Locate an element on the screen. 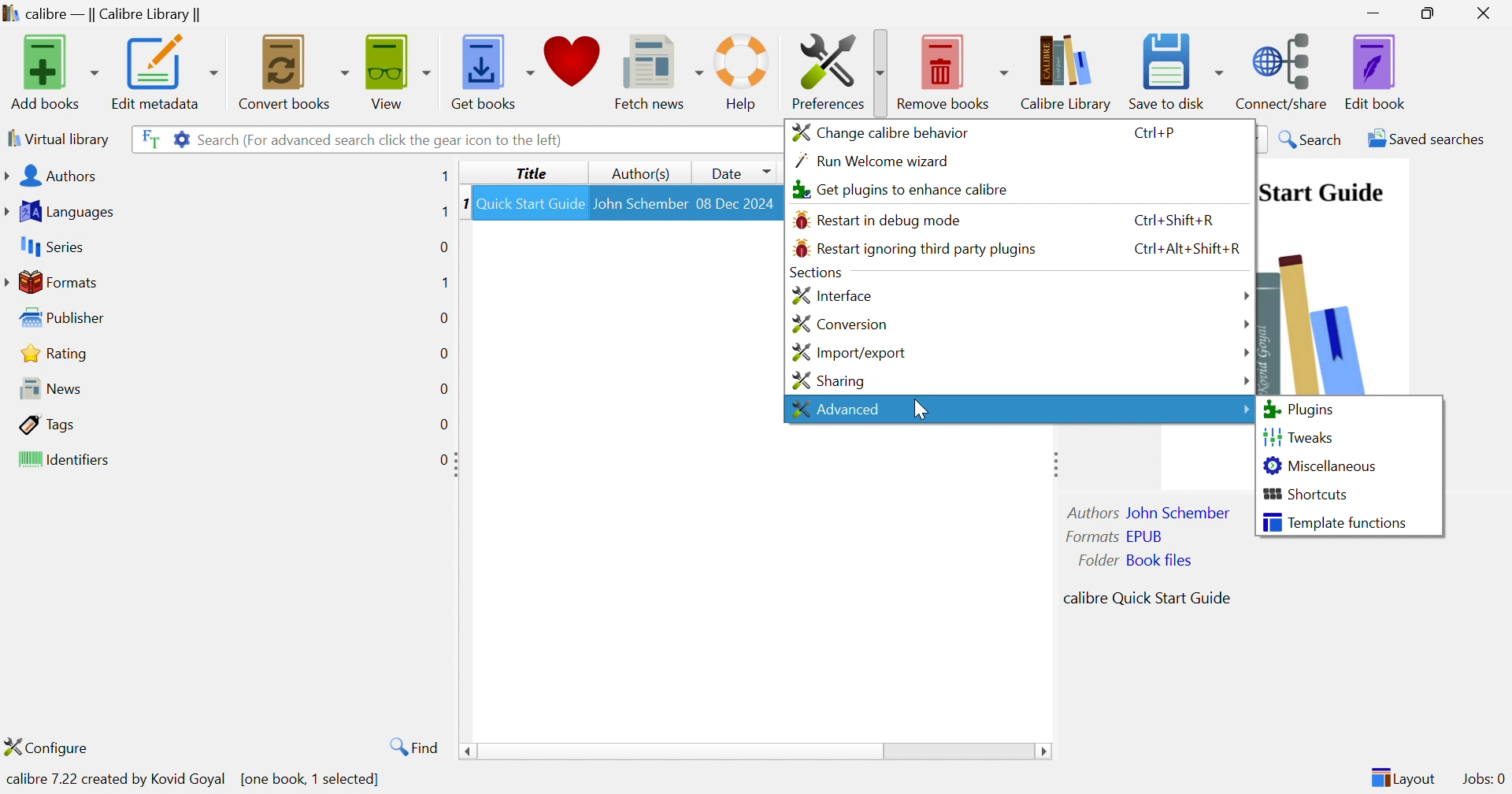 The image size is (1512, 794). Author(s) is located at coordinates (643, 174).